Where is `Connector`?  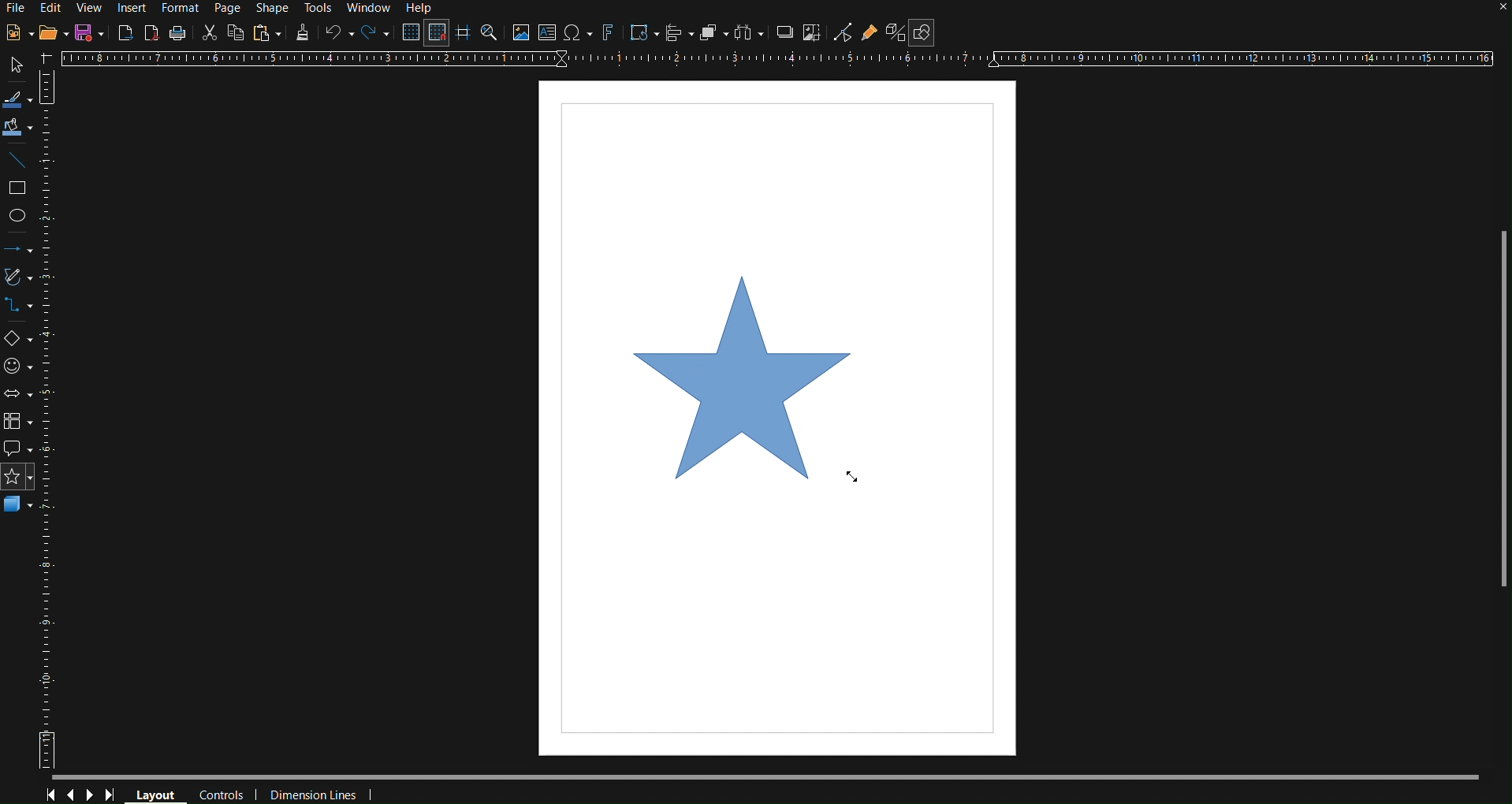
Connector is located at coordinates (20, 311).